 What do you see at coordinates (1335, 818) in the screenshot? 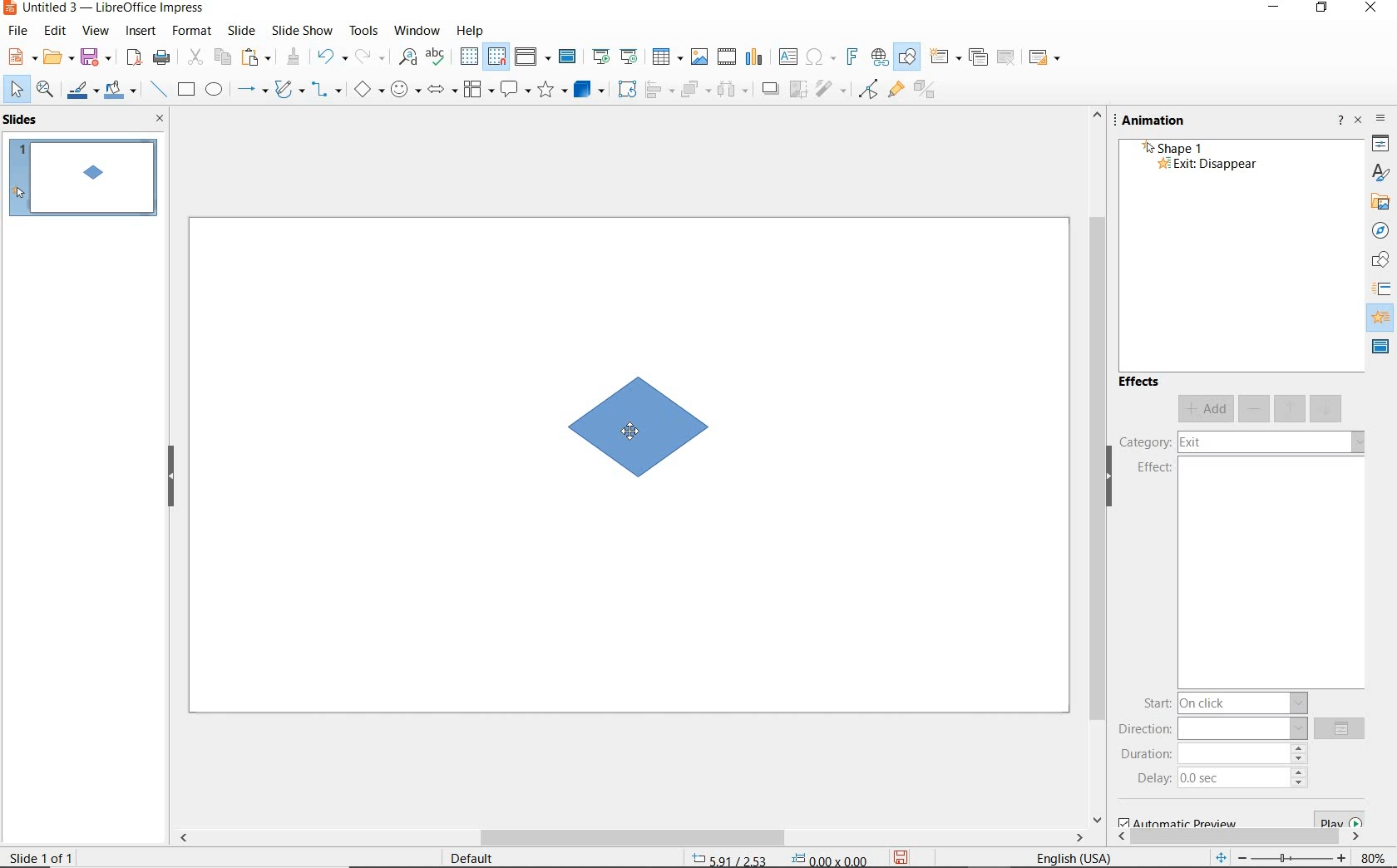
I see `play` at bounding box center [1335, 818].